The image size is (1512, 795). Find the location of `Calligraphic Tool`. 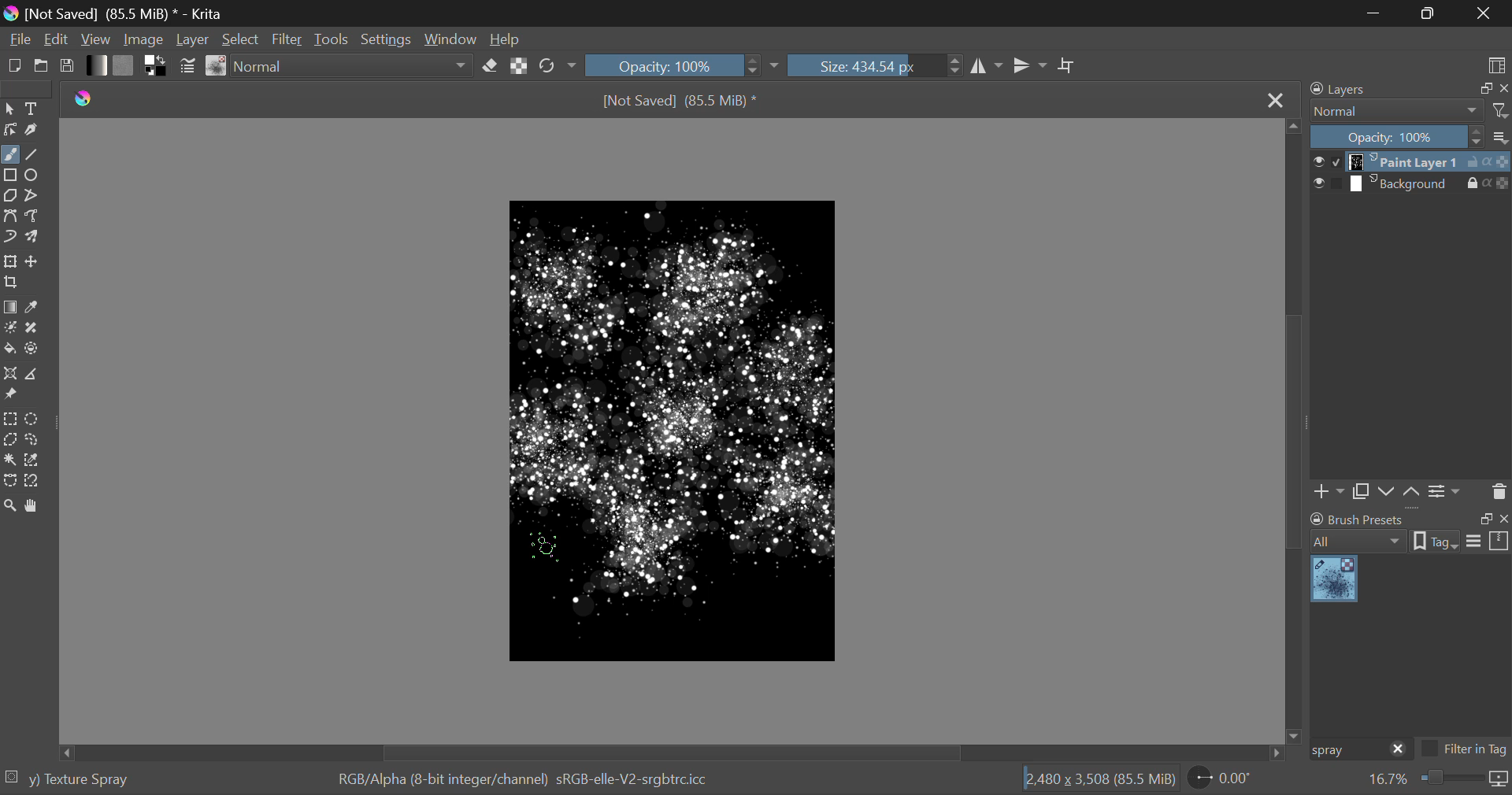

Calligraphic Tool is located at coordinates (34, 130).